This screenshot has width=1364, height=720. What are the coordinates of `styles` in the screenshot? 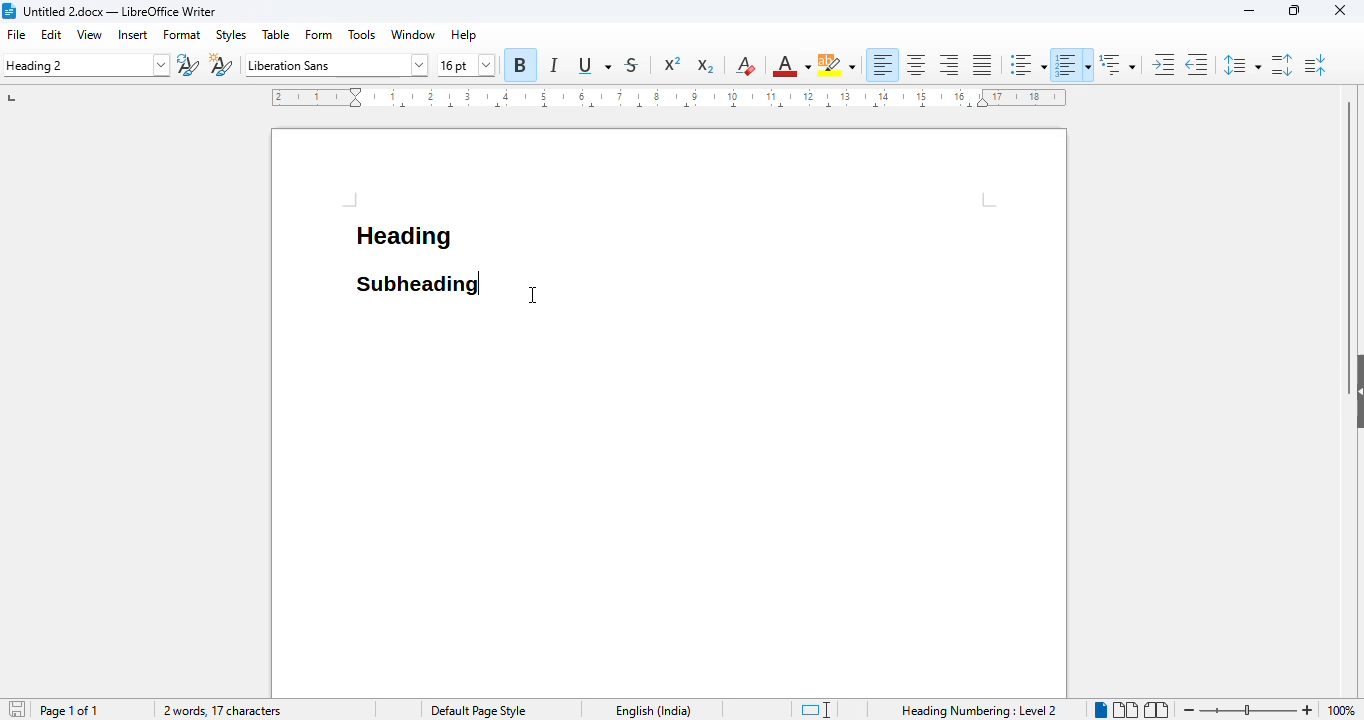 It's located at (232, 35).